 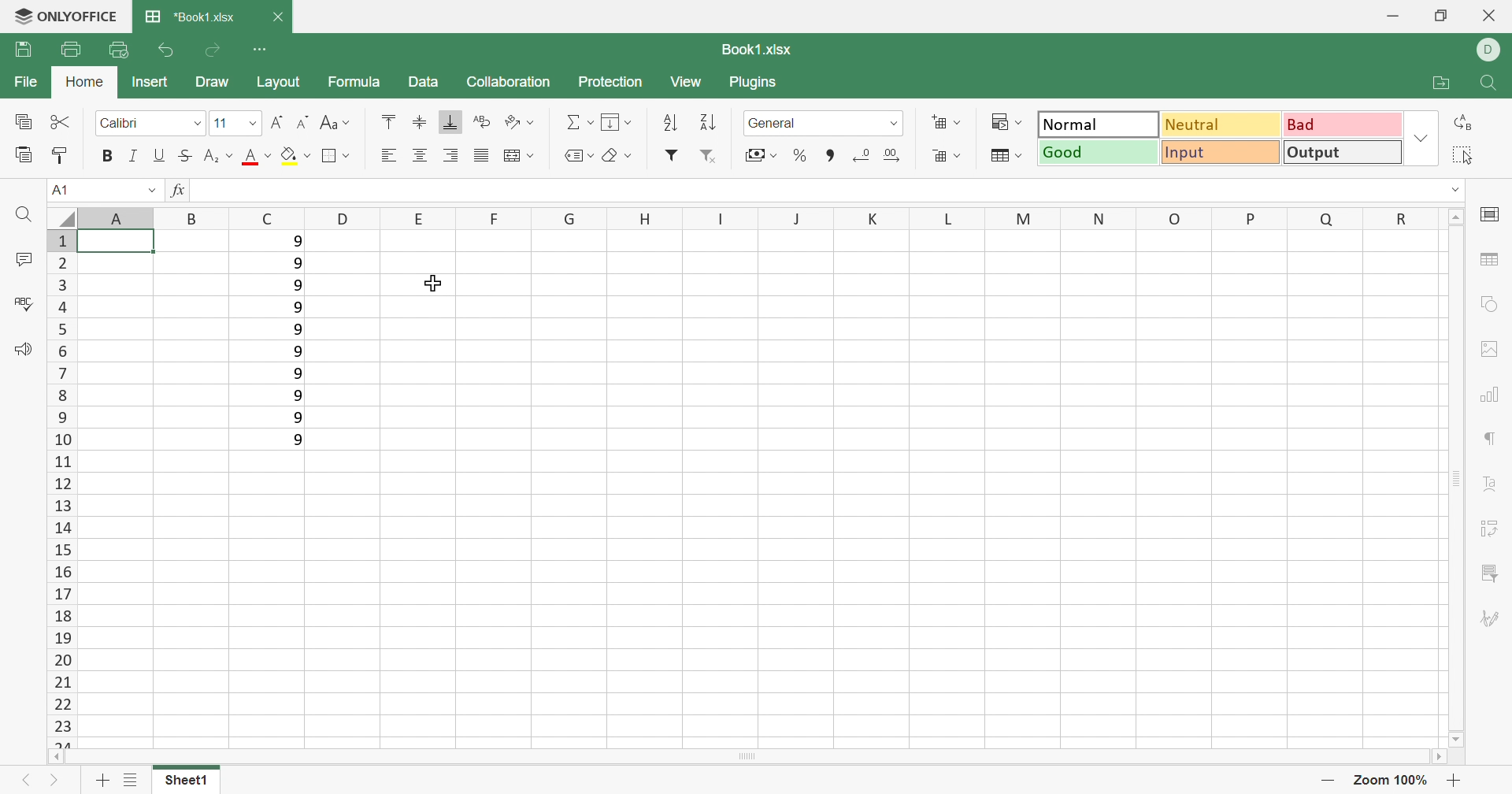 I want to click on Save, so click(x=17, y=50).